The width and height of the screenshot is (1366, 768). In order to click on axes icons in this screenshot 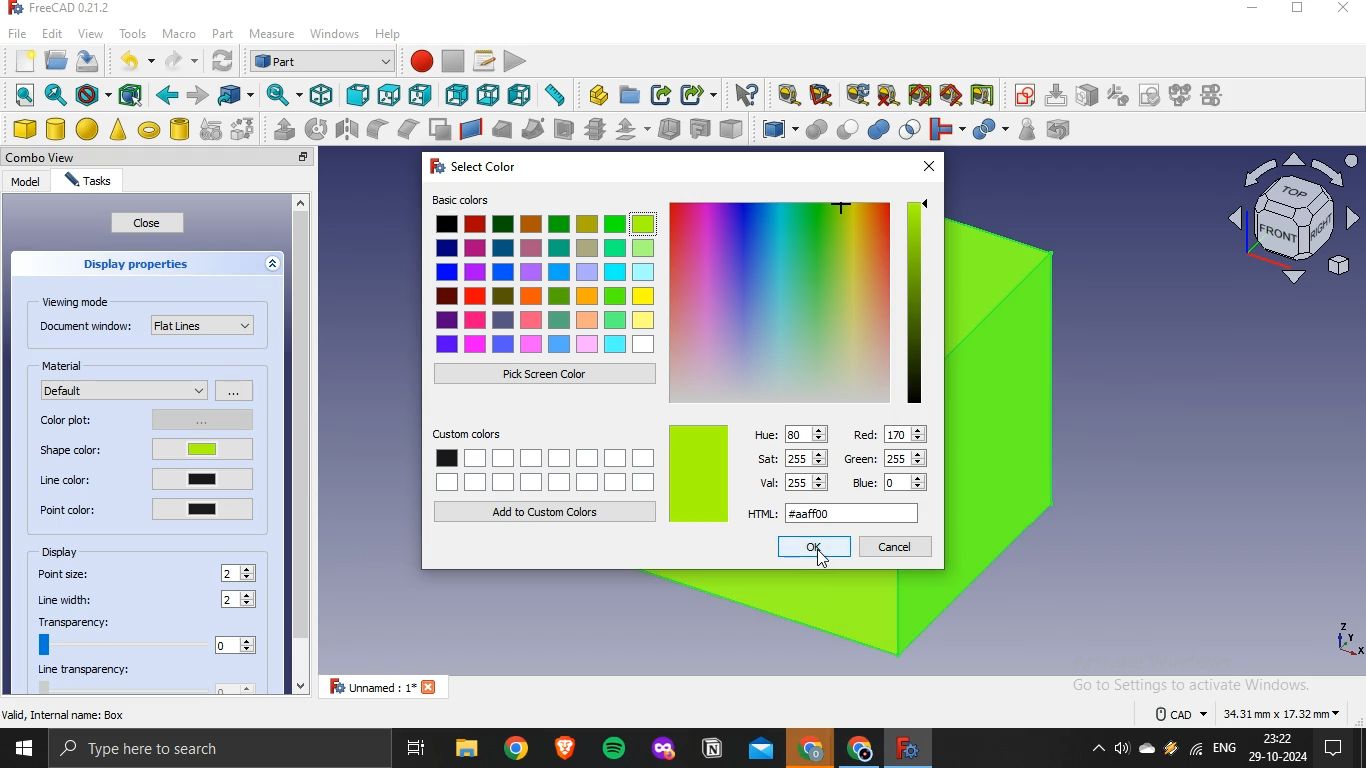, I will do `click(1347, 638)`.